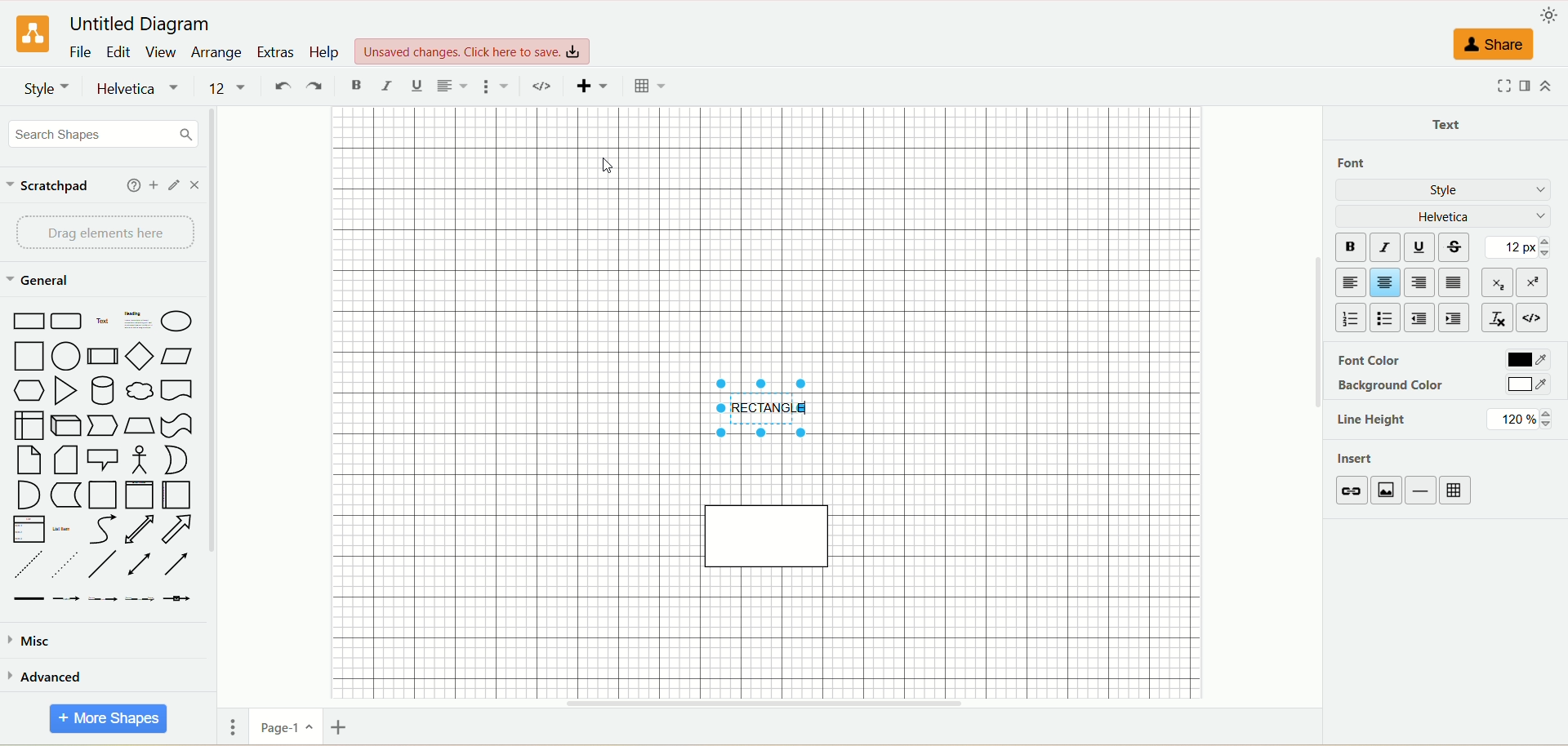  What do you see at coordinates (1422, 491) in the screenshot?
I see `line` at bounding box center [1422, 491].